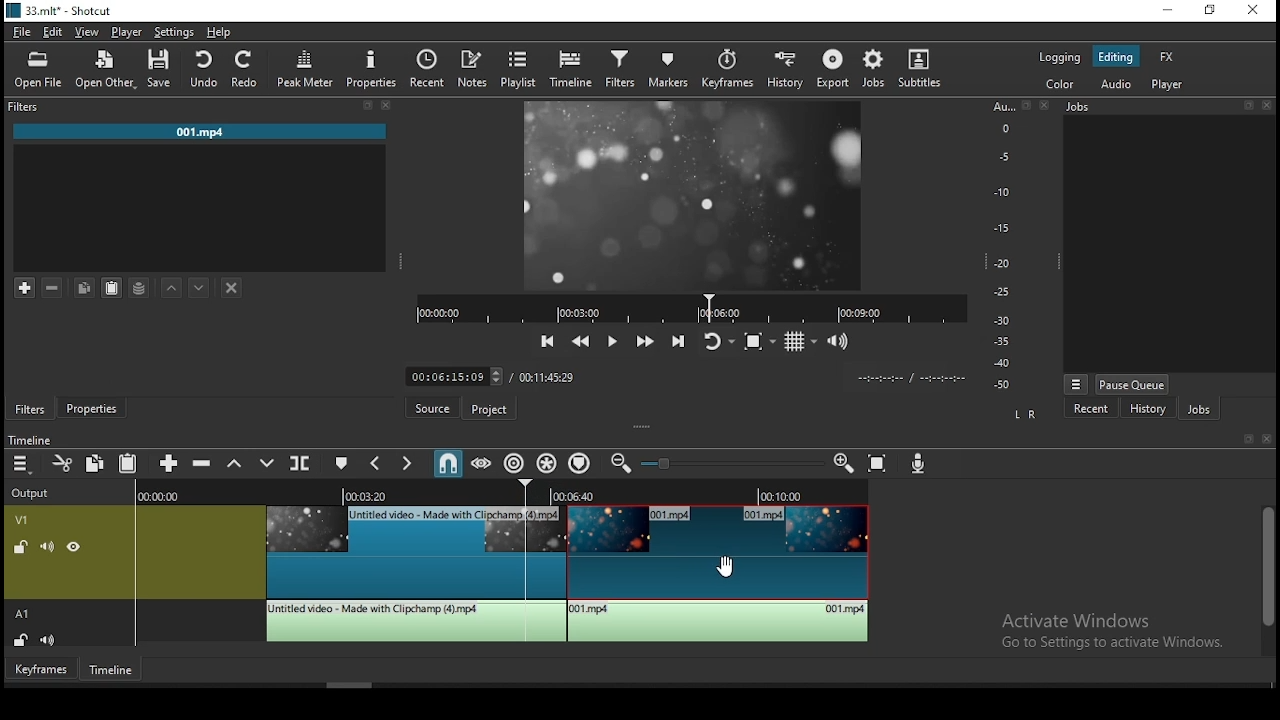 The height and width of the screenshot is (720, 1280). Describe the element at coordinates (678, 342) in the screenshot. I see `skip to next point` at that location.